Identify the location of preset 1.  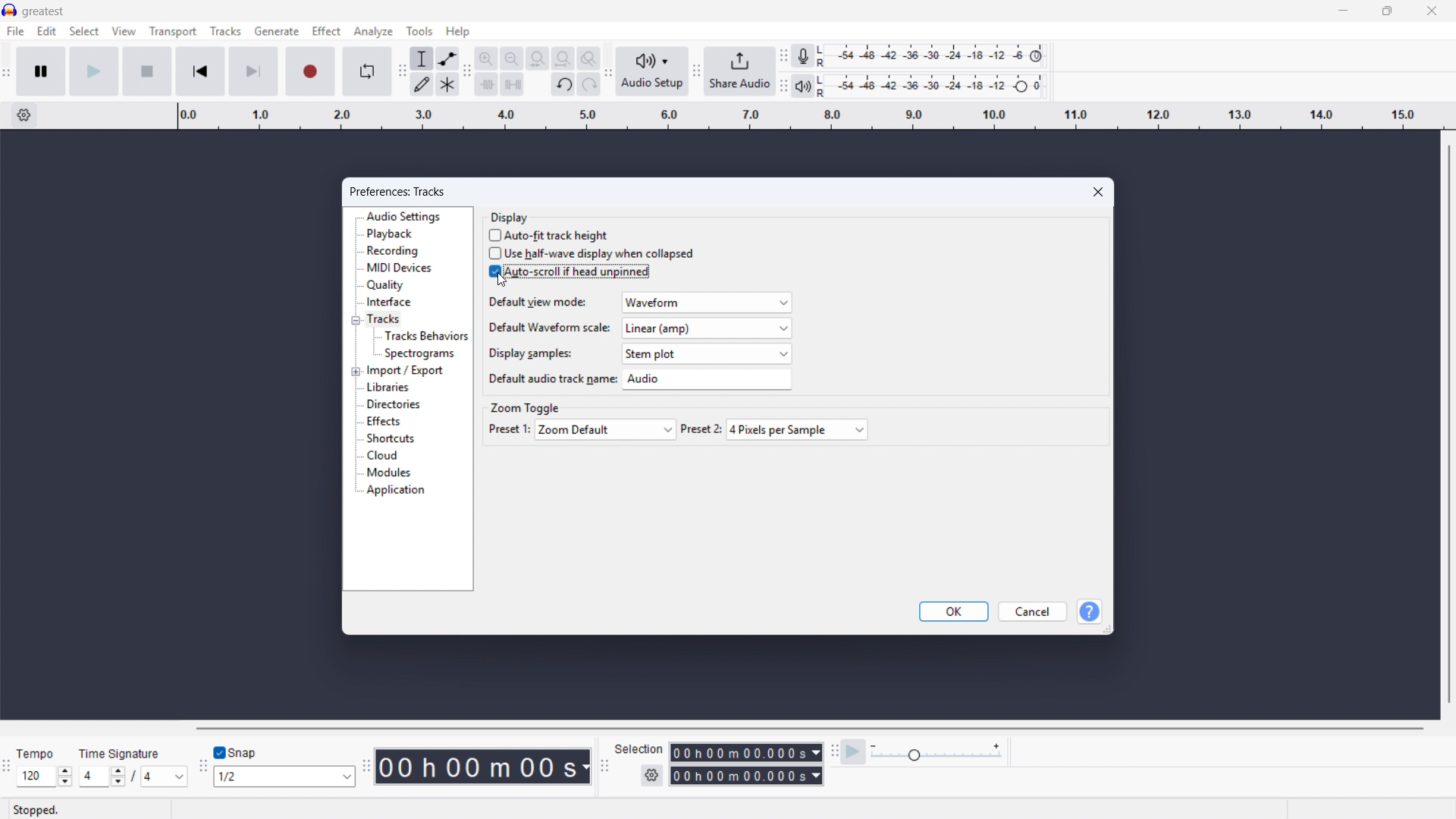
(508, 428).